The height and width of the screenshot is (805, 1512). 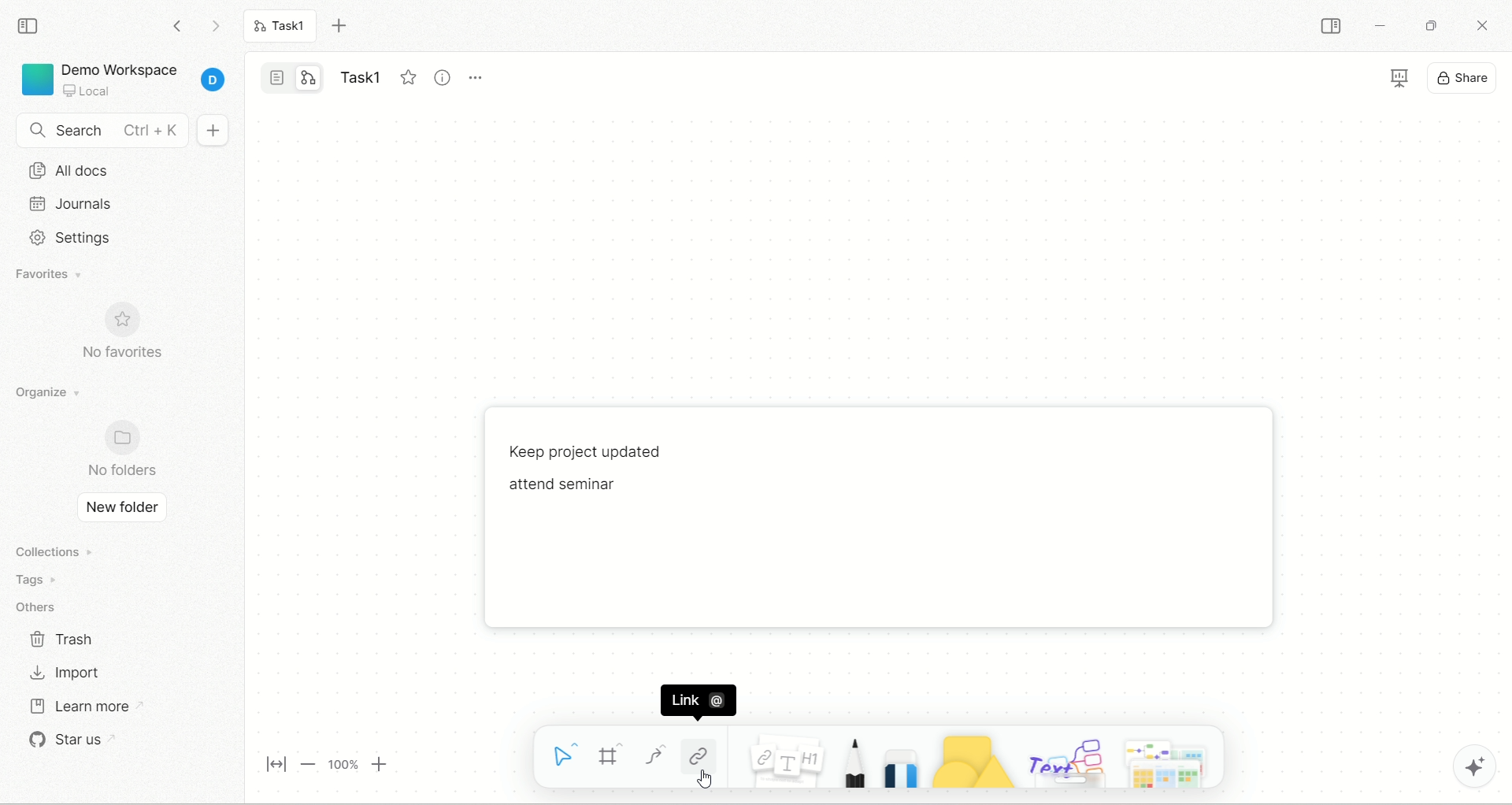 What do you see at coordinates (559, 756) in the screenshot?
I see `select` at bounding box center [559, 756].